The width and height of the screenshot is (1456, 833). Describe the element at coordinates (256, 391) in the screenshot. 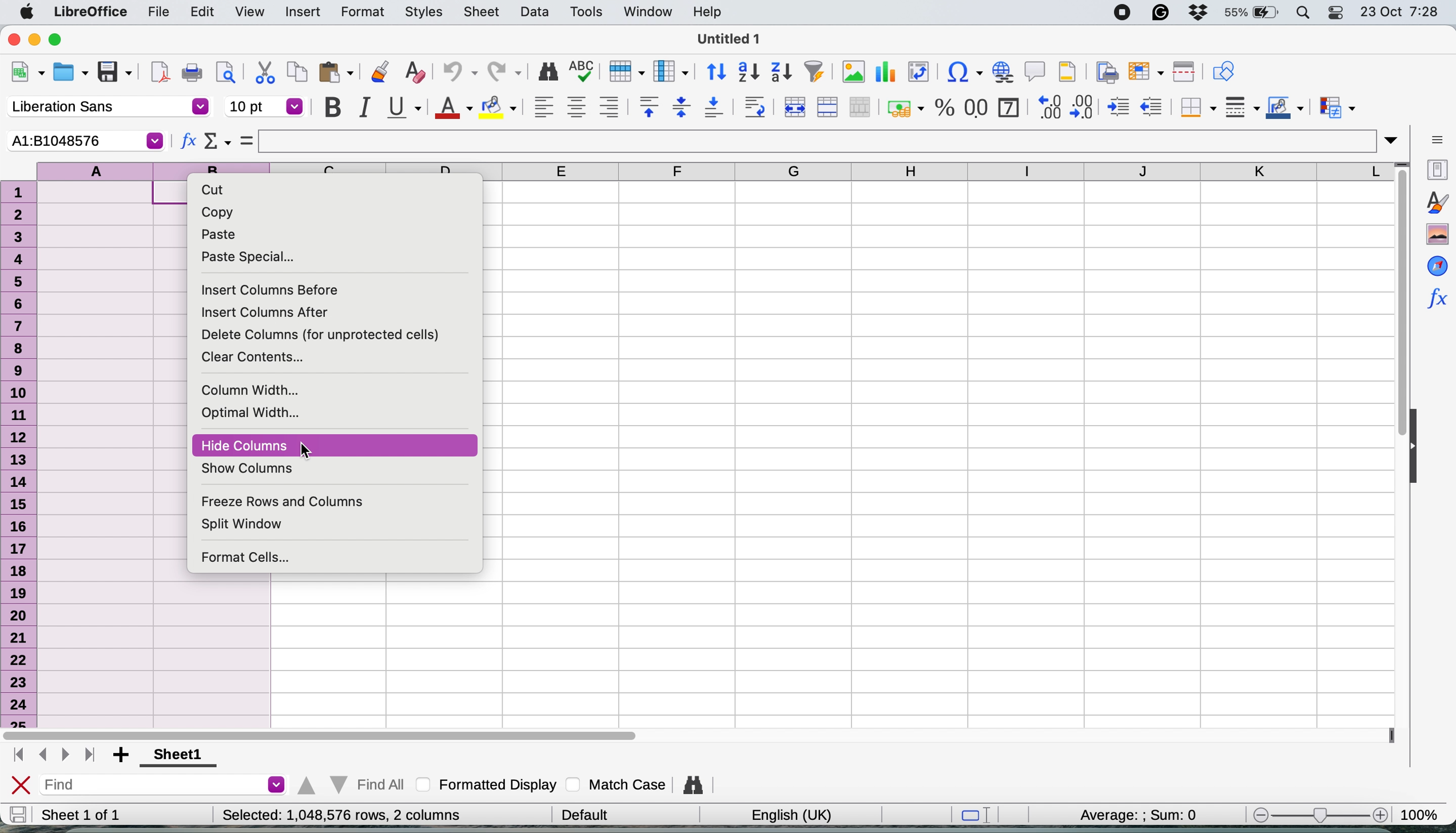

I see `column width` at that location.